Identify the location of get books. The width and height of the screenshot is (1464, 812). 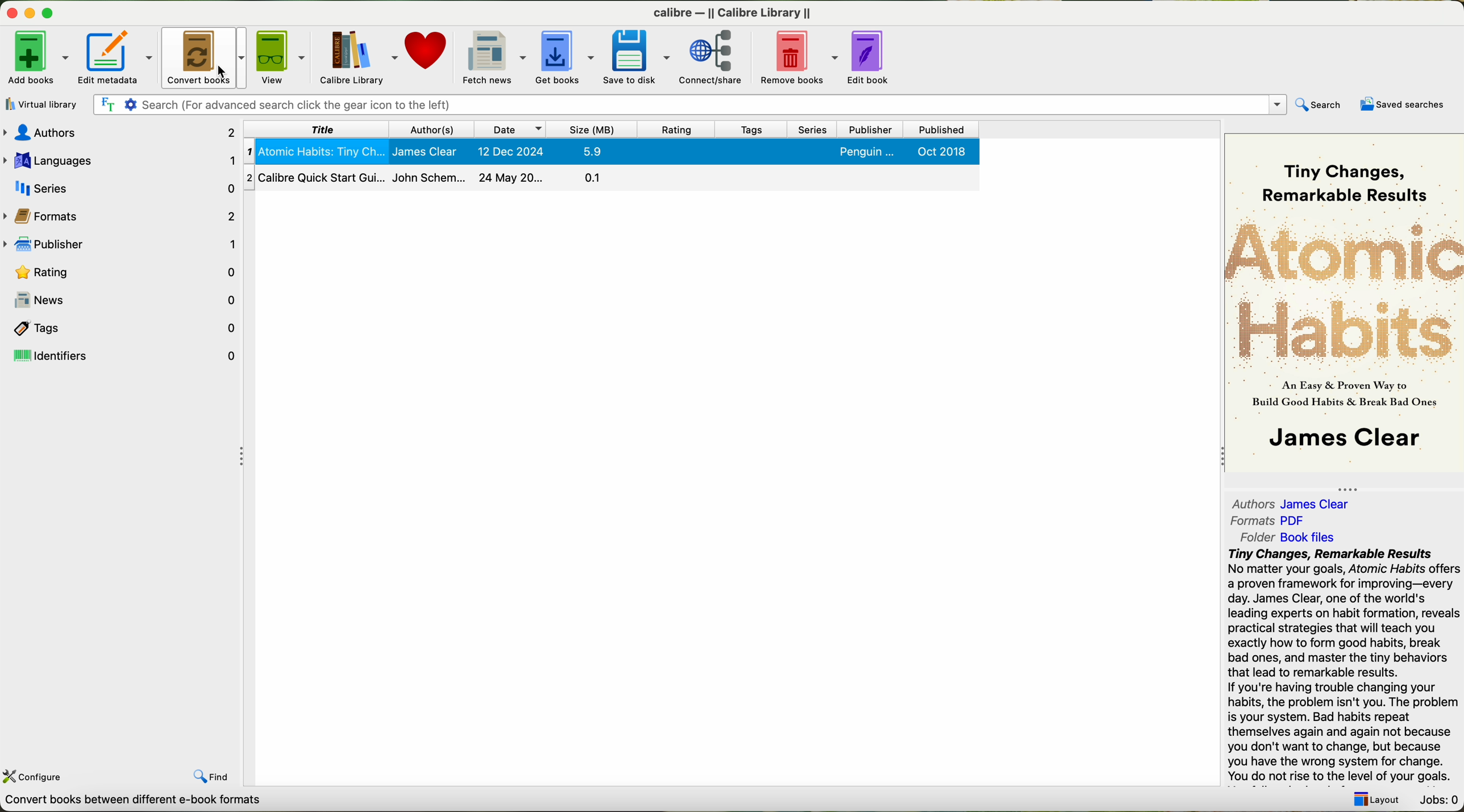
(566, 59).